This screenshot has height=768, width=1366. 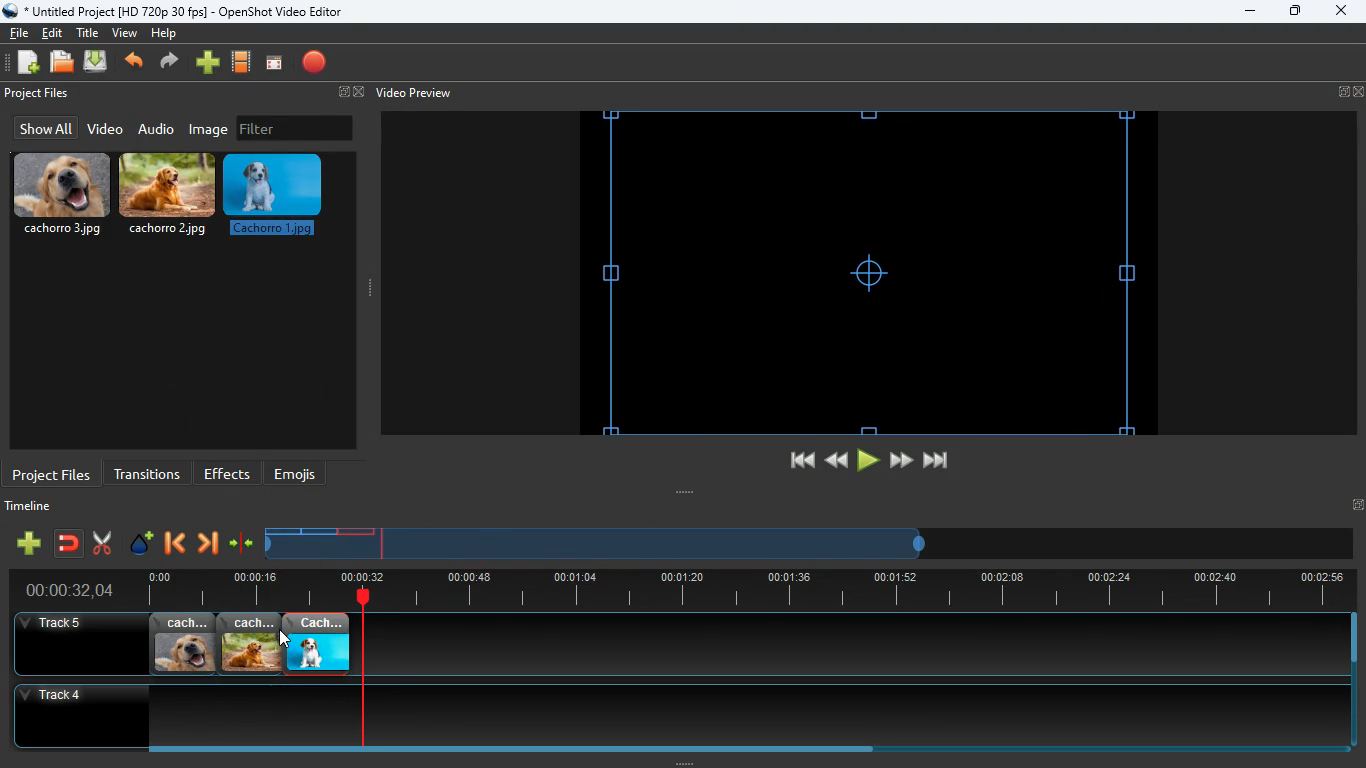 I want to click on add, so click(x=208, y=63).